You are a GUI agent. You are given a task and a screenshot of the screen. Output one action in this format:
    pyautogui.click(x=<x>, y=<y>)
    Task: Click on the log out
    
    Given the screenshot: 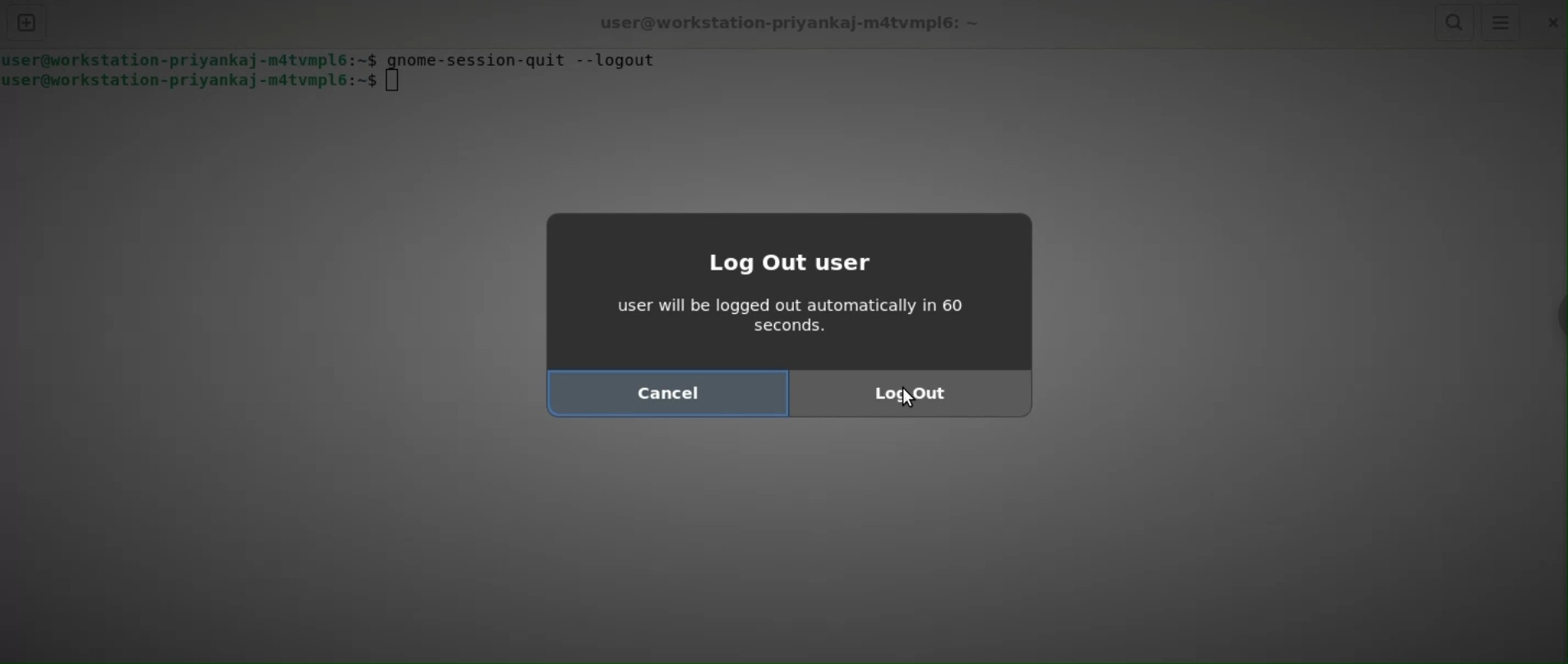 What is the action you would take?
    pyautogui.click(x=910, y=394)
    